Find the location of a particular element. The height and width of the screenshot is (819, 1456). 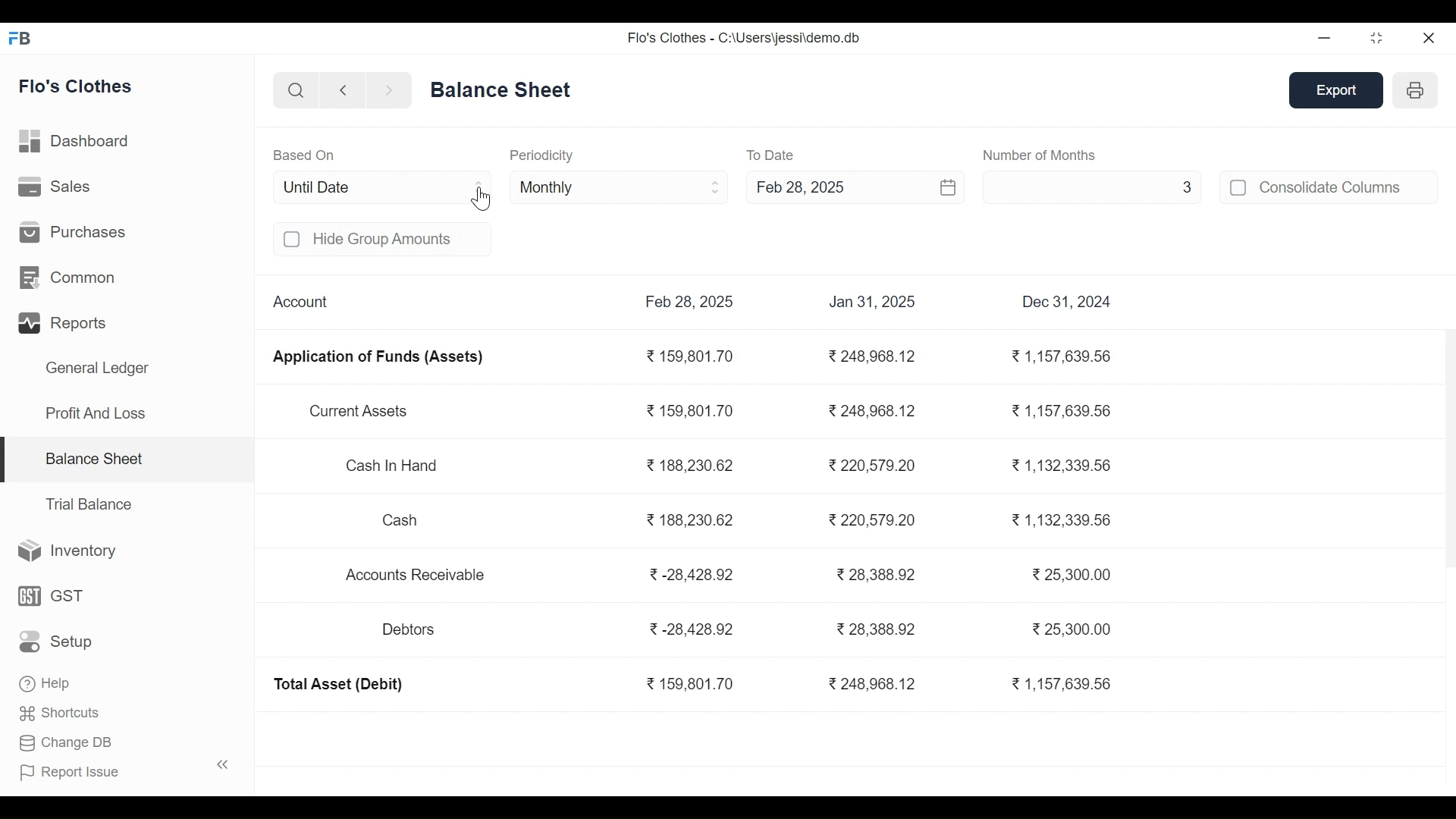

Hide Group Amounts is located at coordinates (400, 239).